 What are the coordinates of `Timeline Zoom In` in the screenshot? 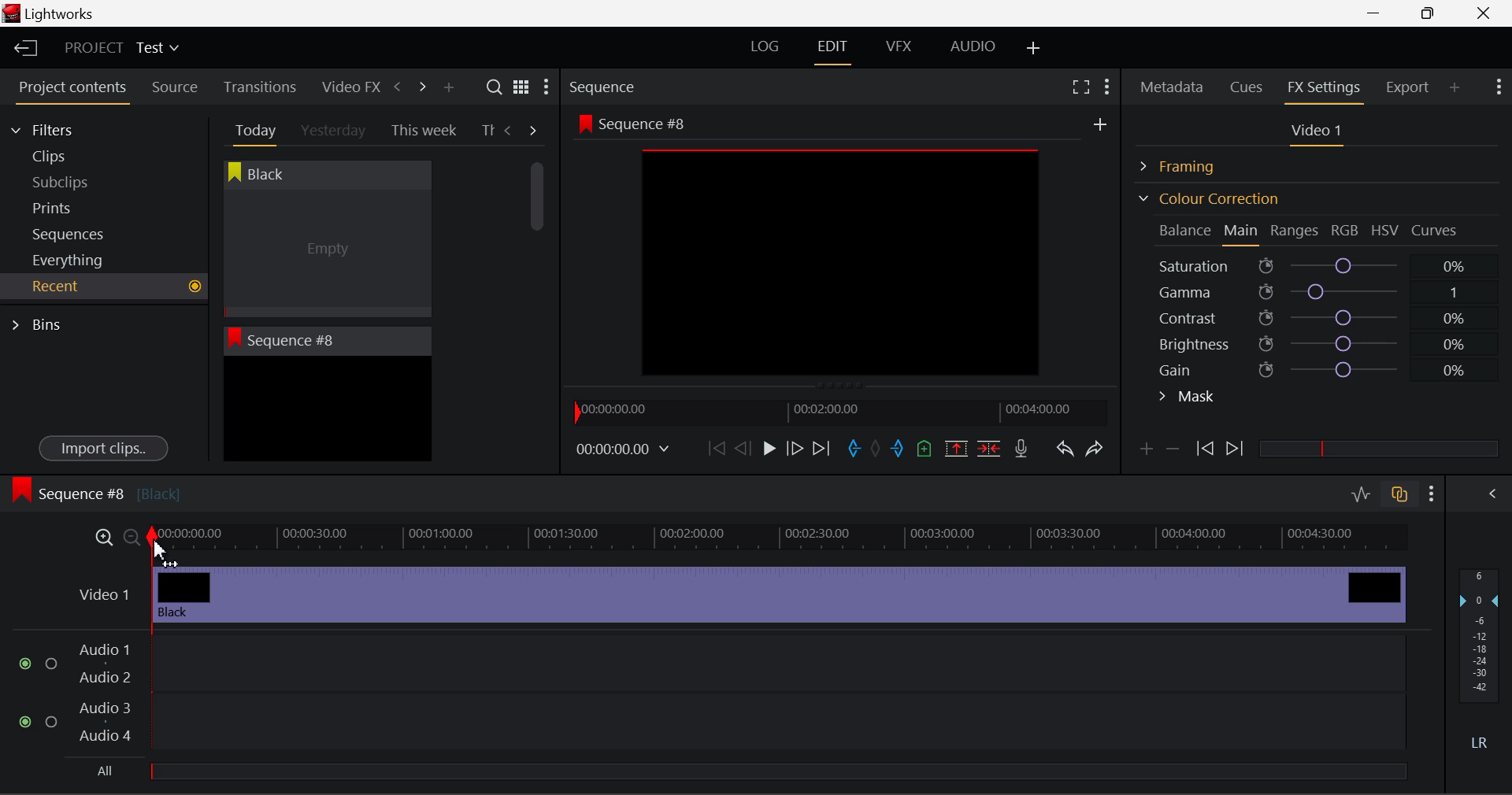 It's located at (101, 537).